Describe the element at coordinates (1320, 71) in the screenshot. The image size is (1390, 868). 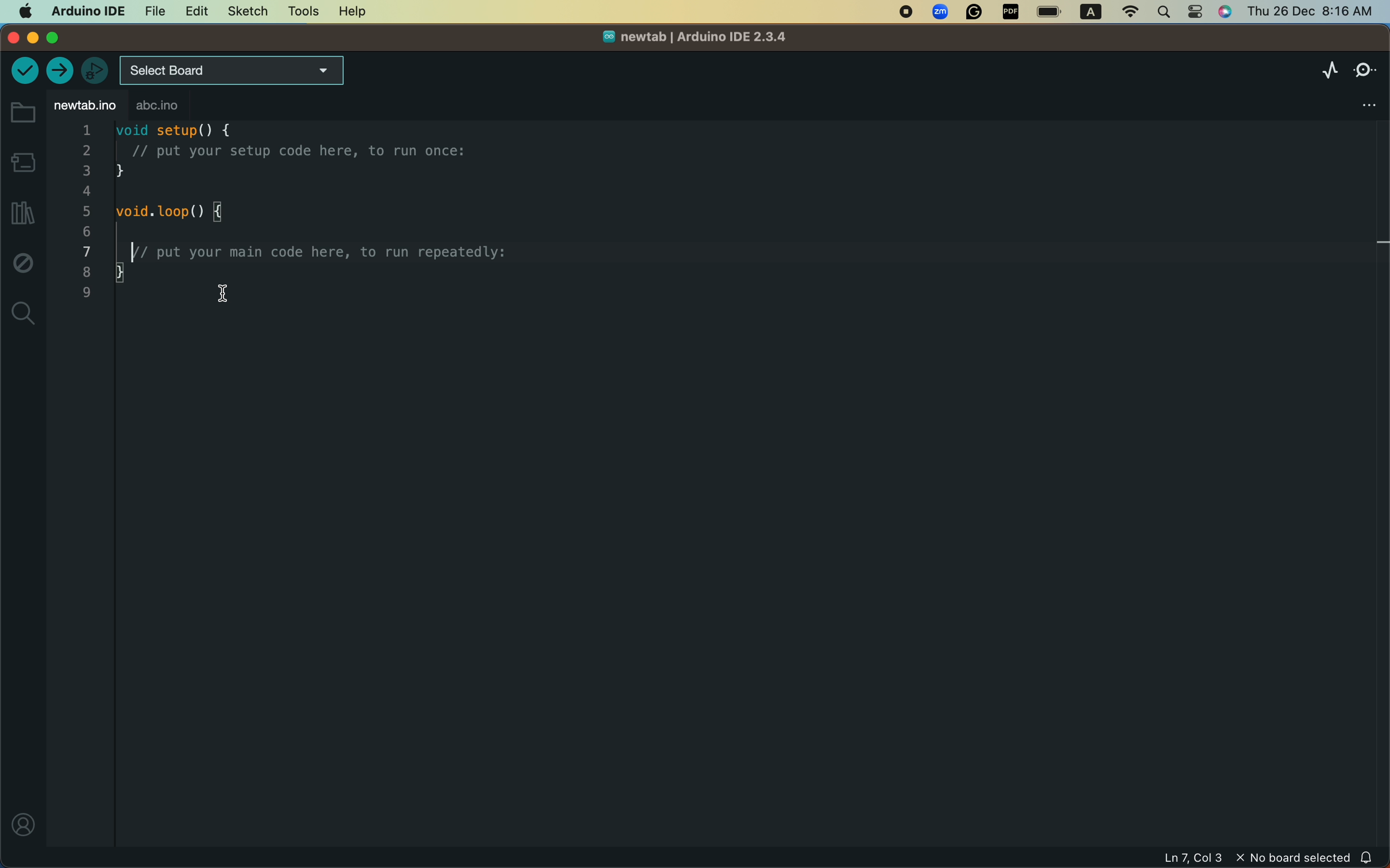
I see `serial plotter` at that location.